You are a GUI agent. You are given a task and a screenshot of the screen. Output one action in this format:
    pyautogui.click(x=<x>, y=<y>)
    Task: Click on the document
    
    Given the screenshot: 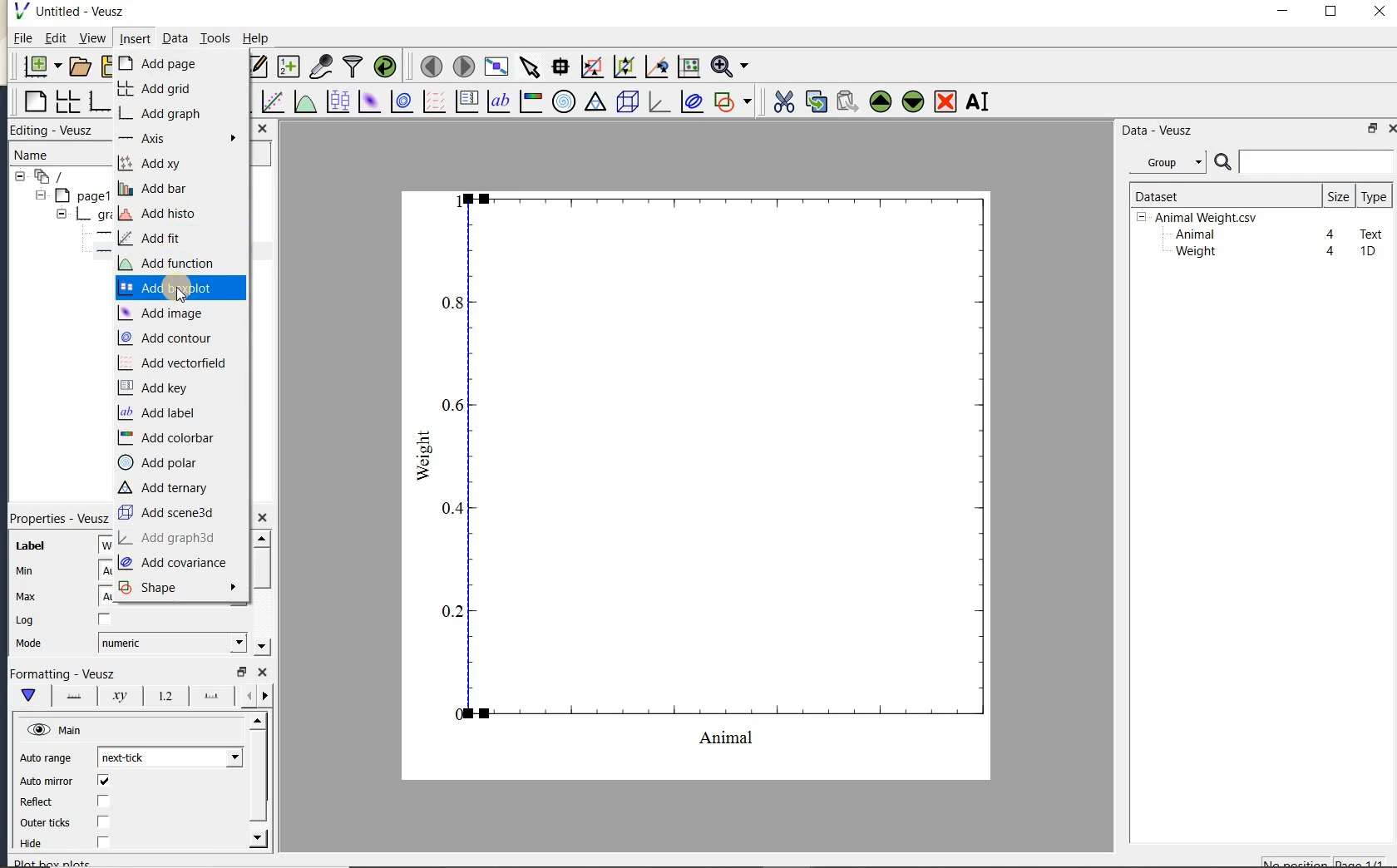 What is the action you would take?
    pyautogui.click(x=42, y=177)
    